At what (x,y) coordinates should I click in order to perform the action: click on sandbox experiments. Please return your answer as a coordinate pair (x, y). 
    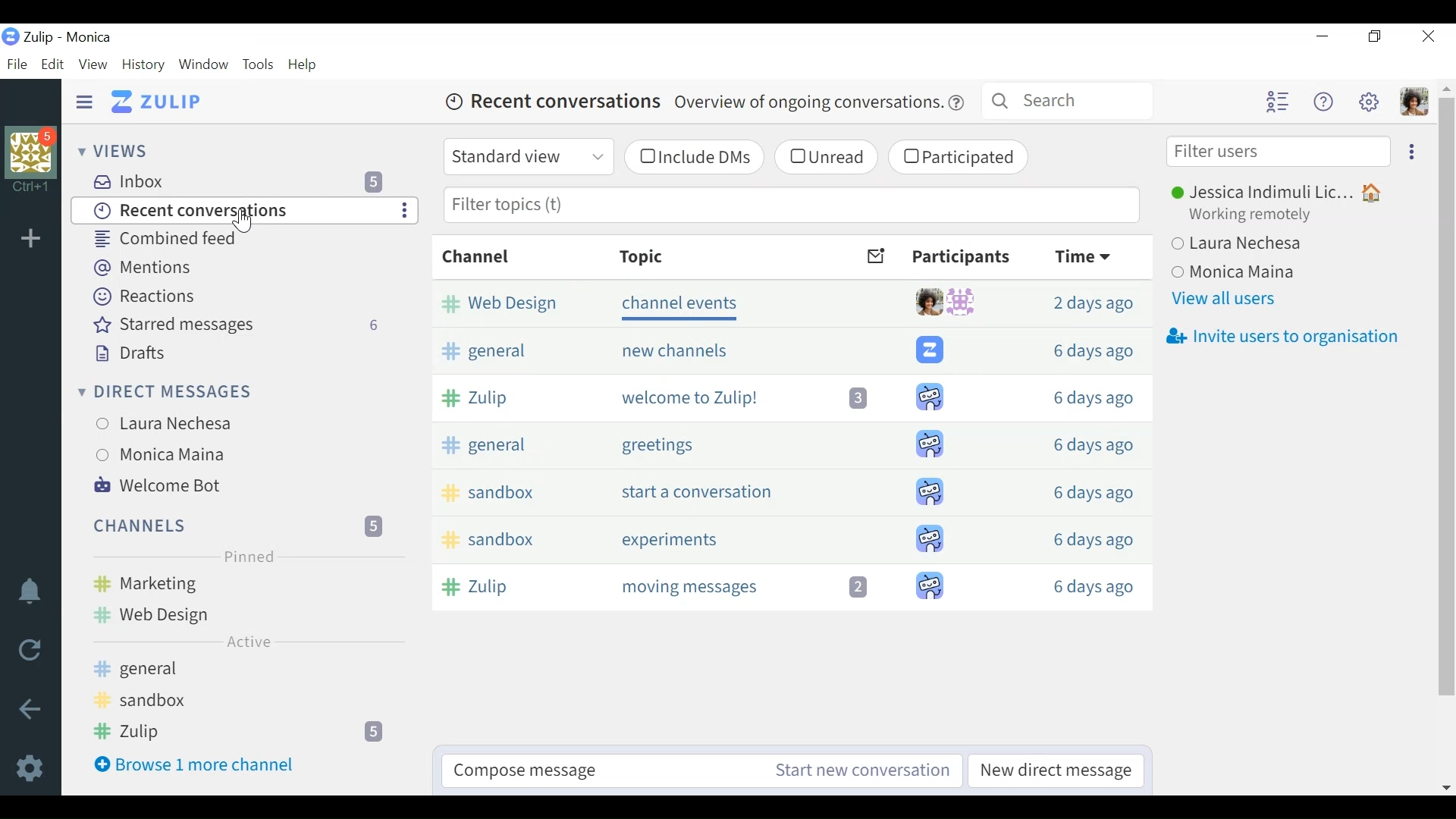
    Looking at the image, I should click on (790, 540).